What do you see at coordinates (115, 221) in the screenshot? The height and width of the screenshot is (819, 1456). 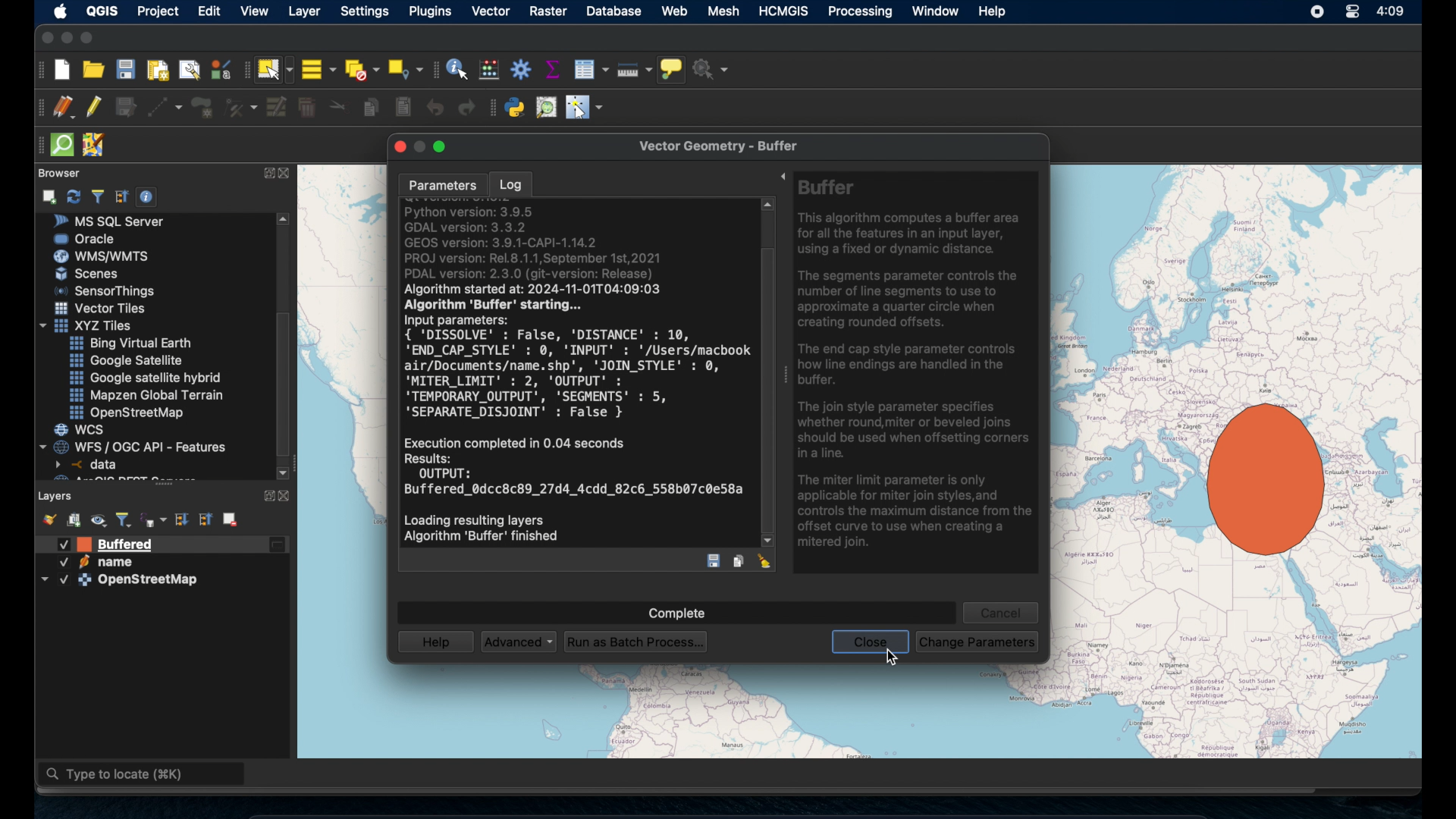 I see `ms sql server` at bounding box center [115, 221].